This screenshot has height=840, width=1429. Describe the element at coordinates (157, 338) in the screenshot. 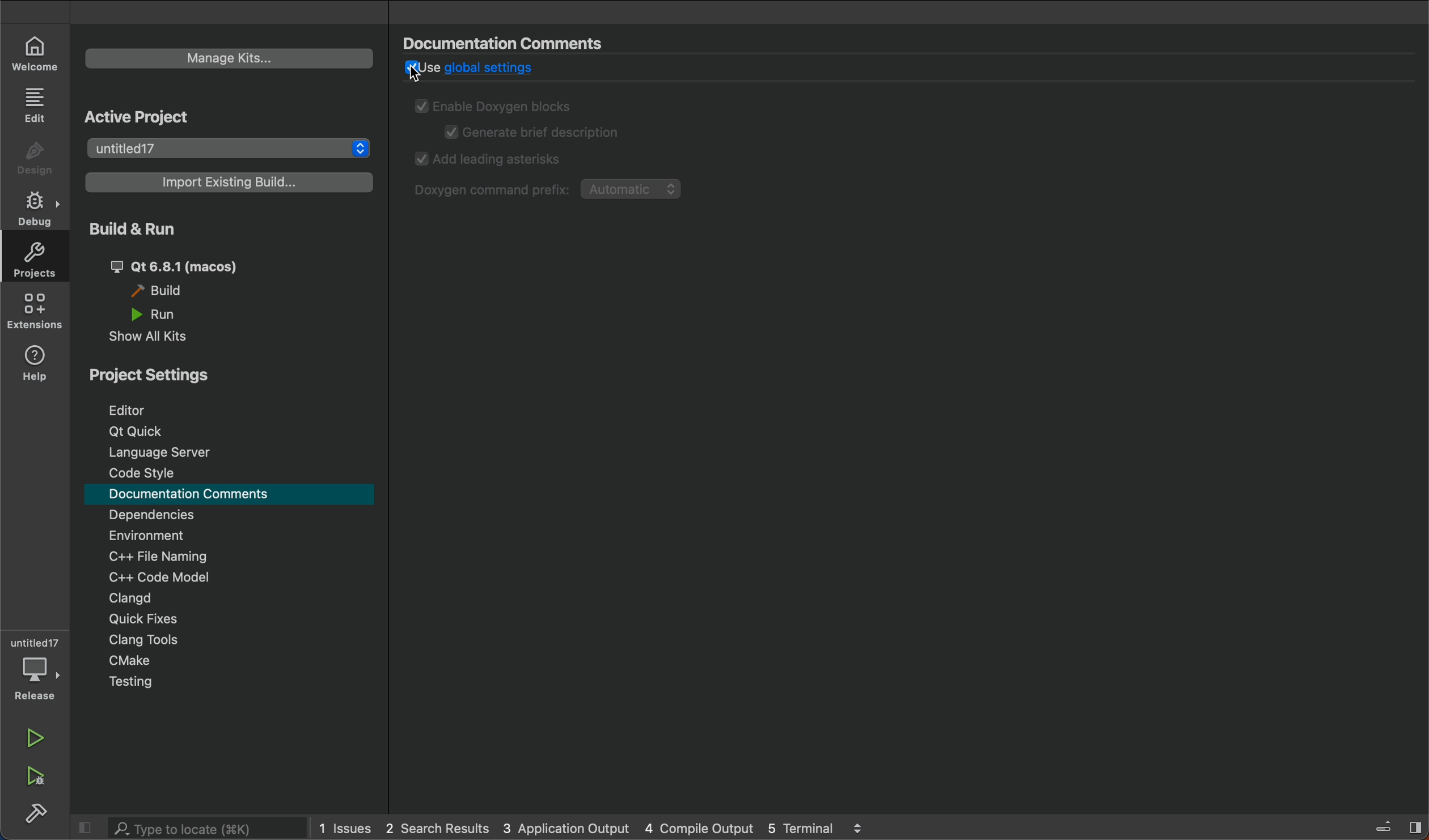

I see `show all kits` at that location.